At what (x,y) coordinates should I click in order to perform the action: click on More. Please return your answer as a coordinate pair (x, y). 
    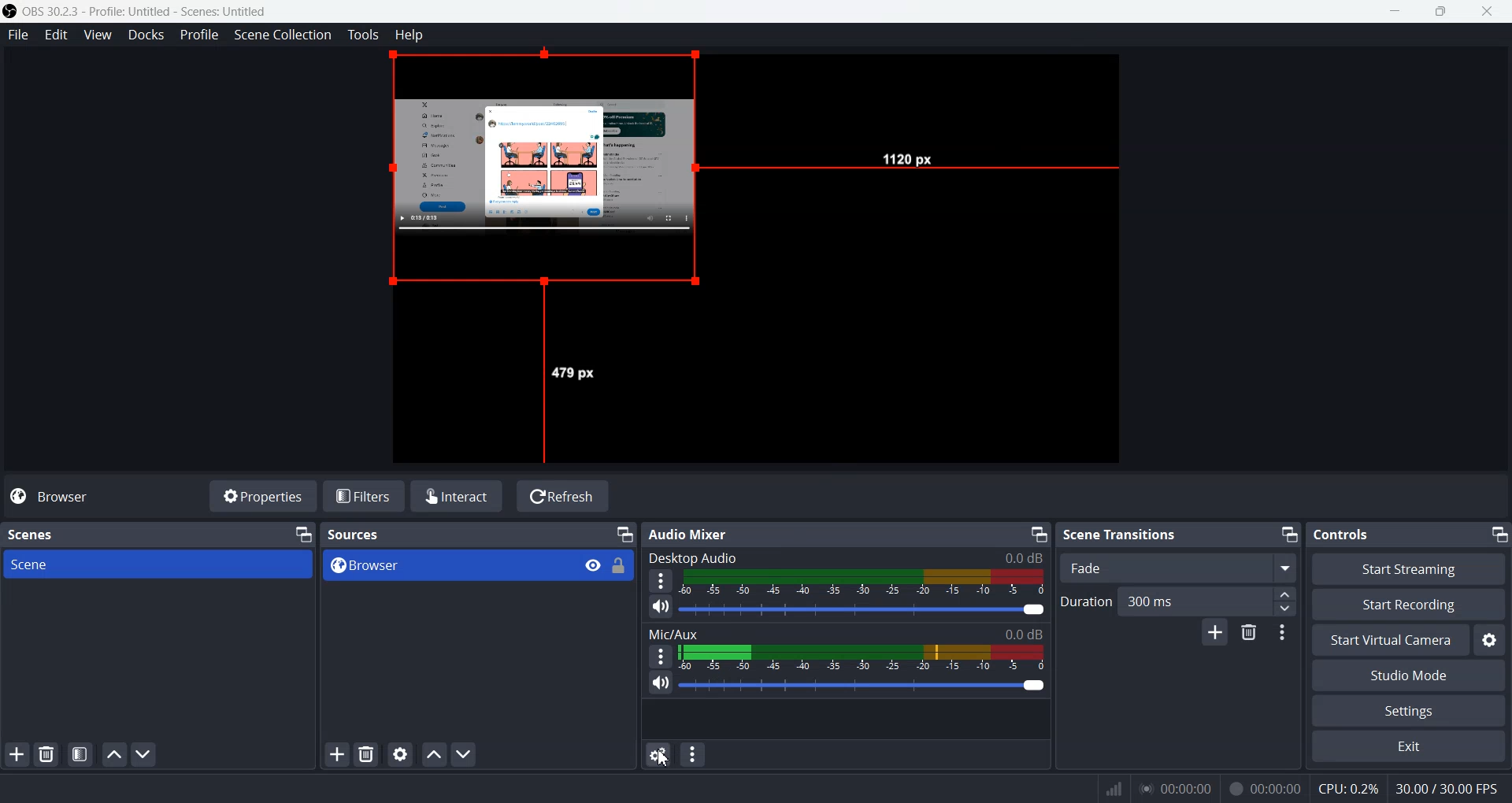
    Looking at the image, I should click on (658, 656).